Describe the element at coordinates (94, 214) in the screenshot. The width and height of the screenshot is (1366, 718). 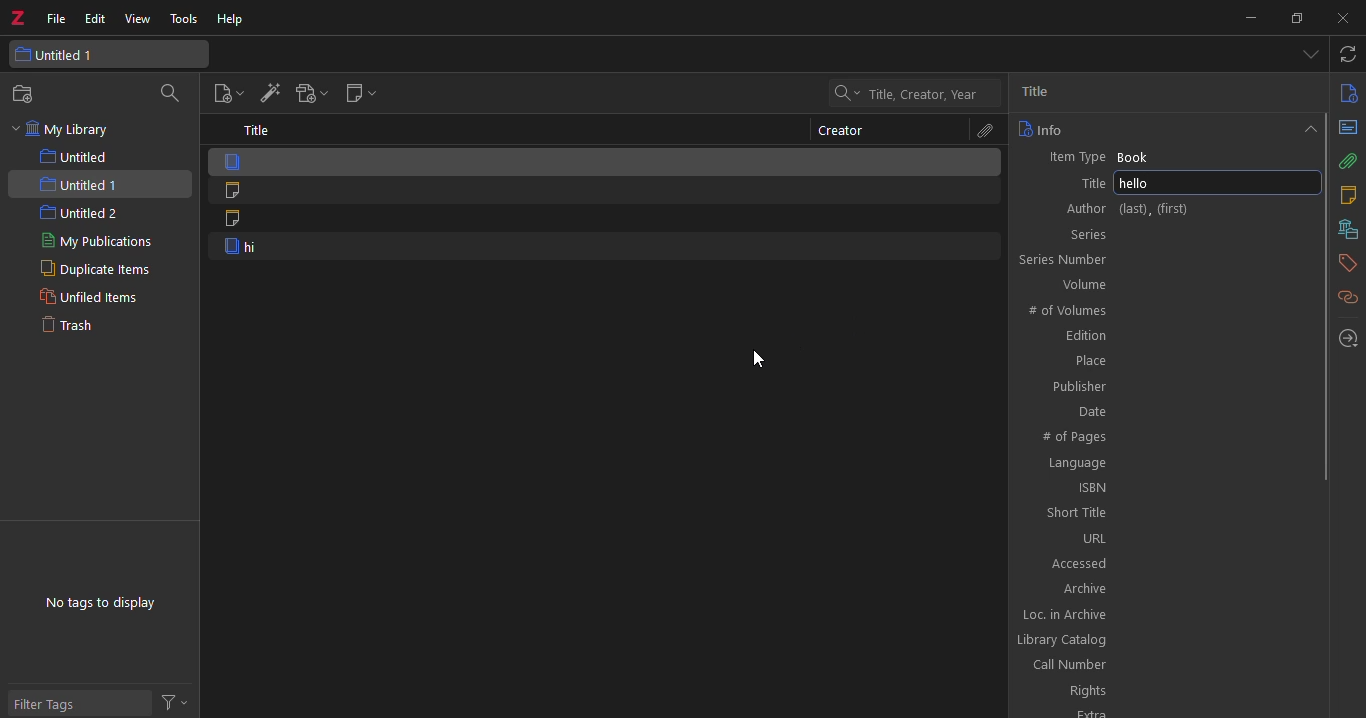
I see `untitled 2` at that location.